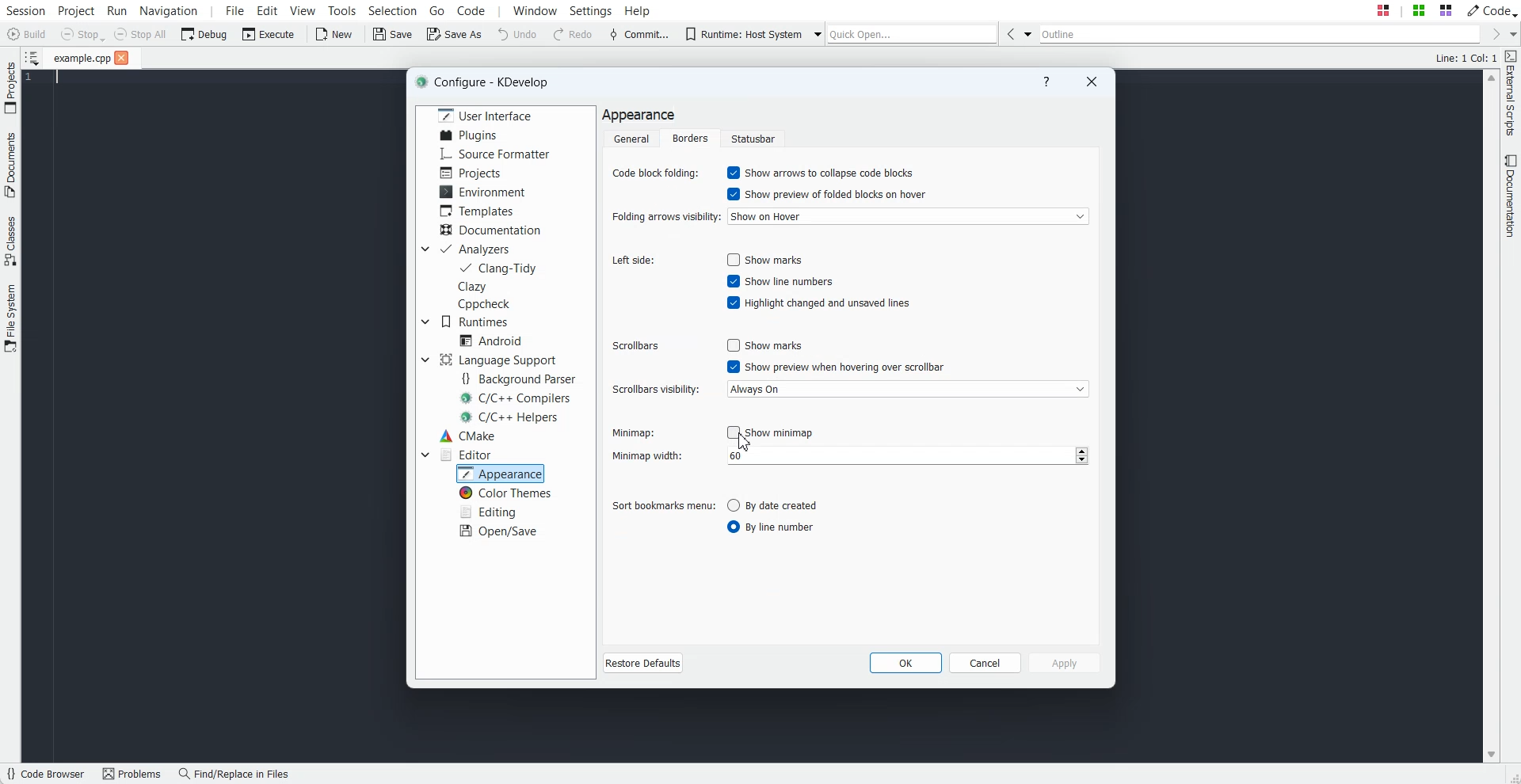 The height and width of the screenshot is (784, 1521). I want to click on Environment, so click(481, 192).